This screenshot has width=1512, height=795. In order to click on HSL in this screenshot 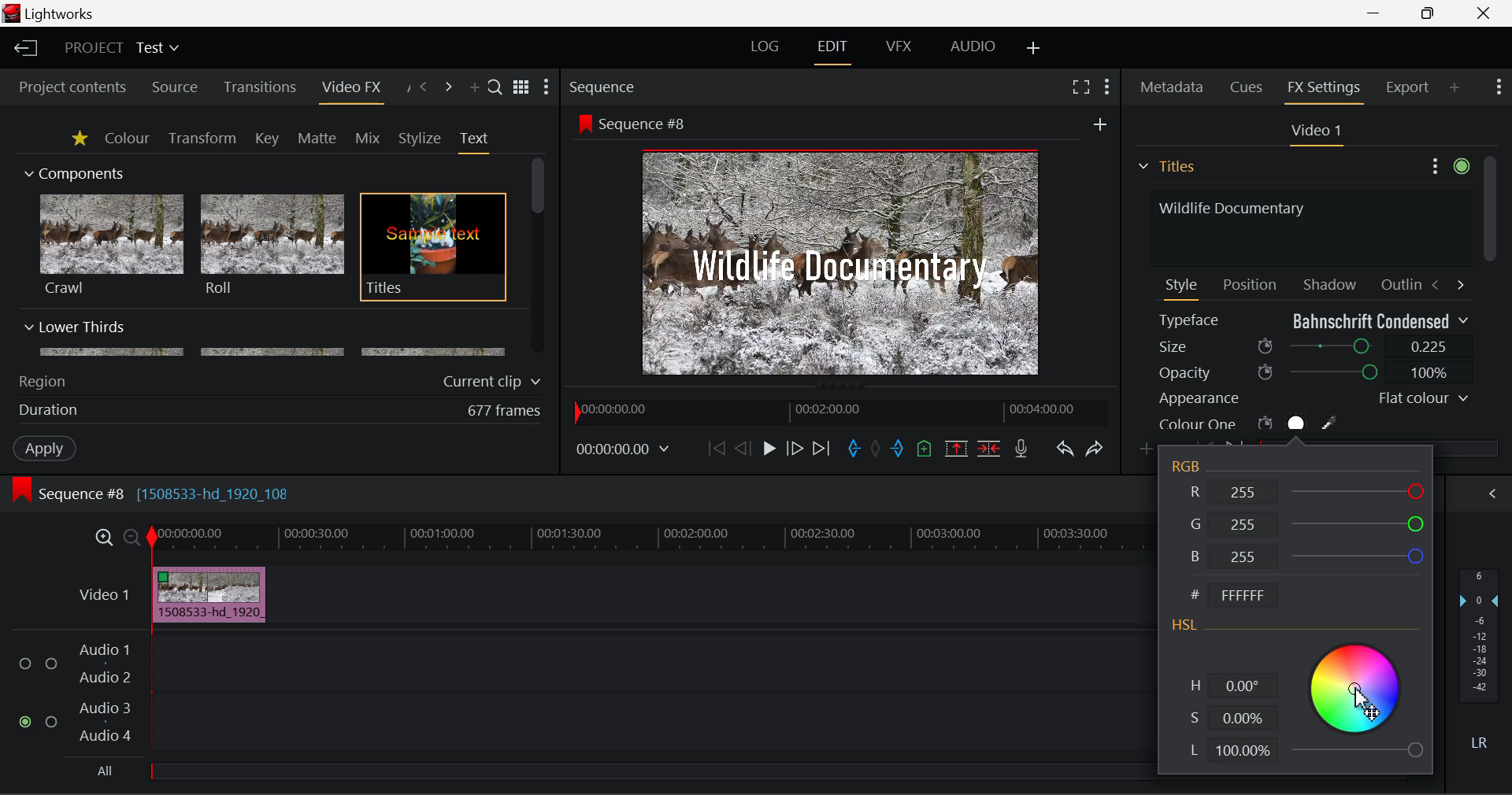, I will do `click(1185, 627)`.